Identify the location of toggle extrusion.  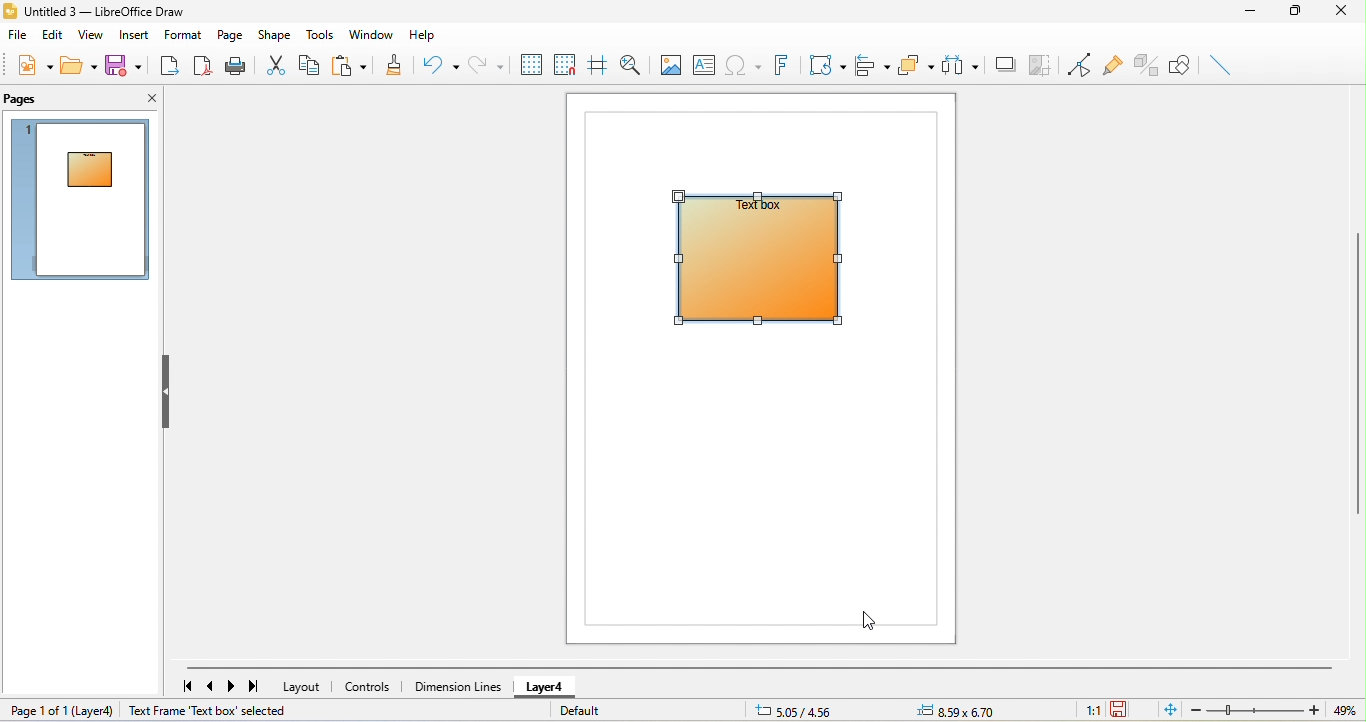
(1147, 62).